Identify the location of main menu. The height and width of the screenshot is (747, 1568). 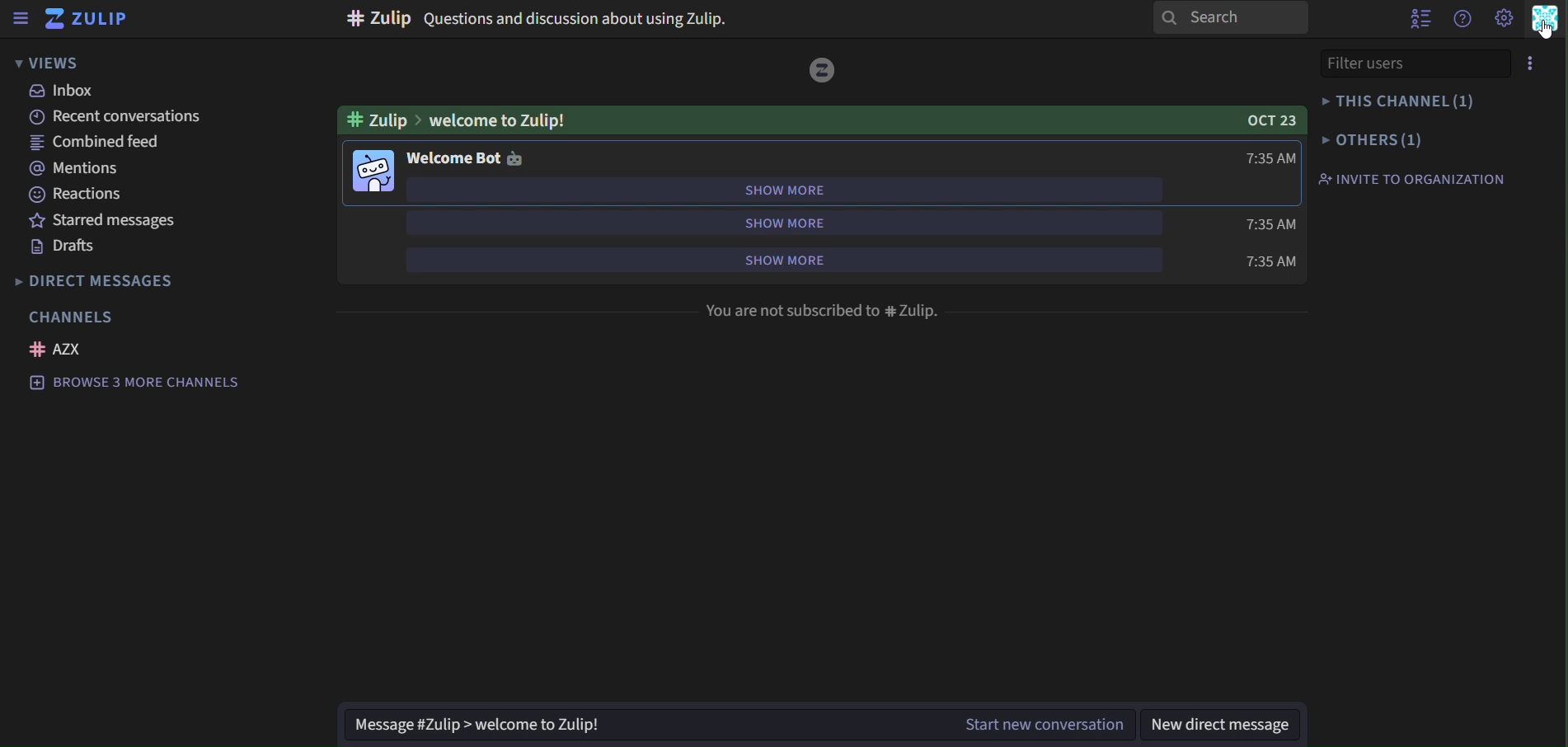
(1504, 19).